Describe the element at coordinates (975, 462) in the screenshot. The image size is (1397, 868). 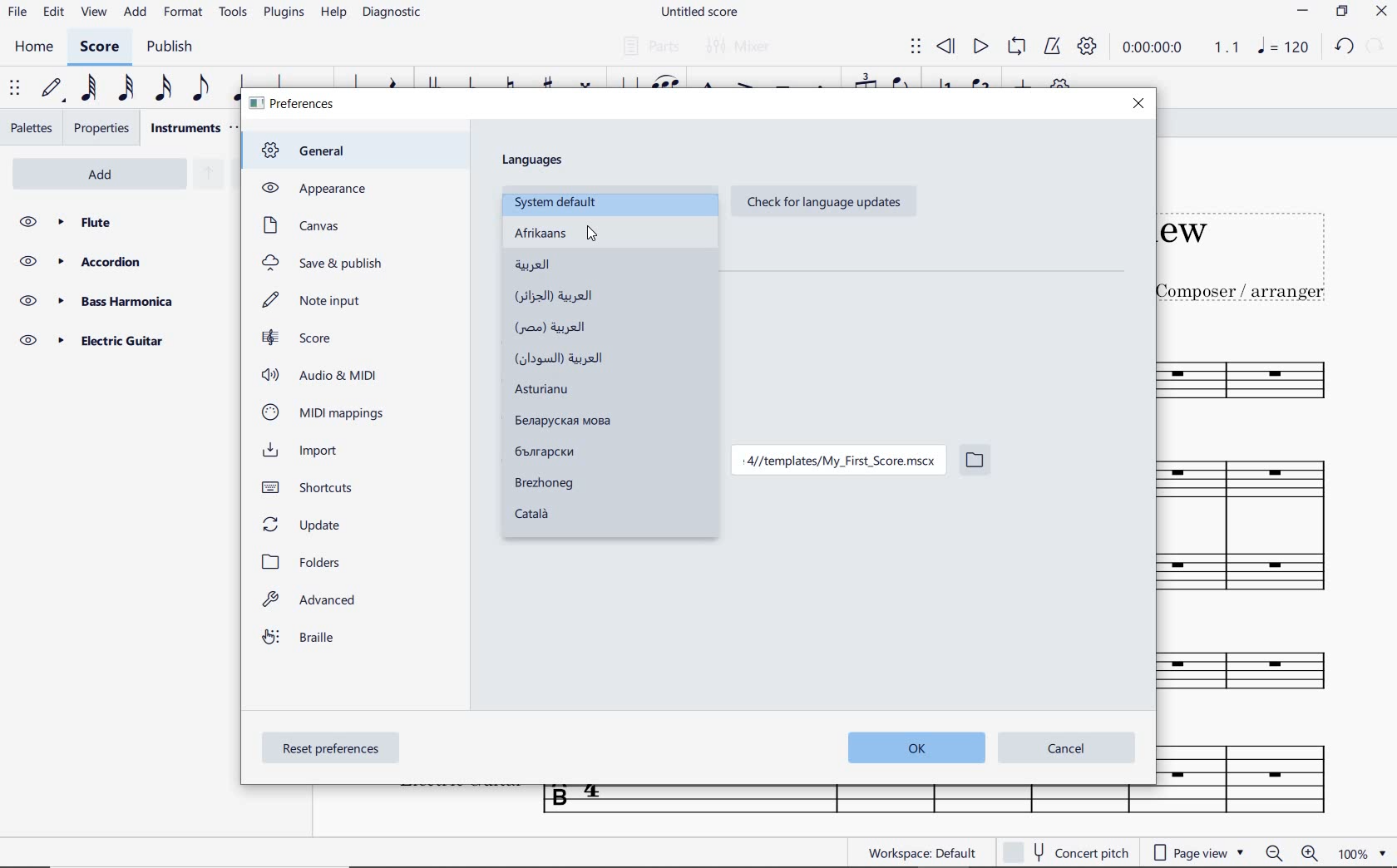
I see `open folder` at that location.